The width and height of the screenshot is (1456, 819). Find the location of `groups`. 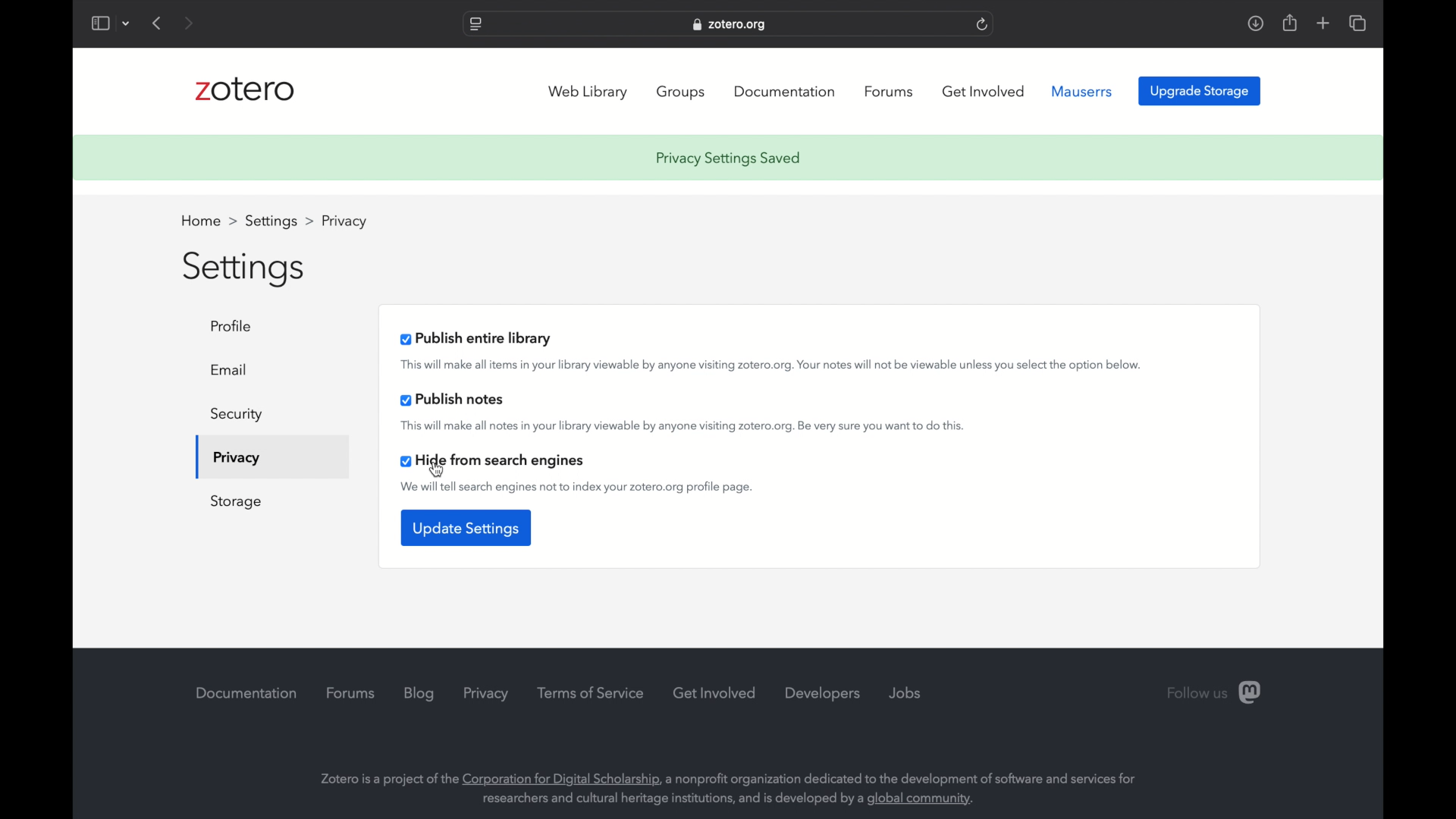

groups is located at coordinates (682, 92).